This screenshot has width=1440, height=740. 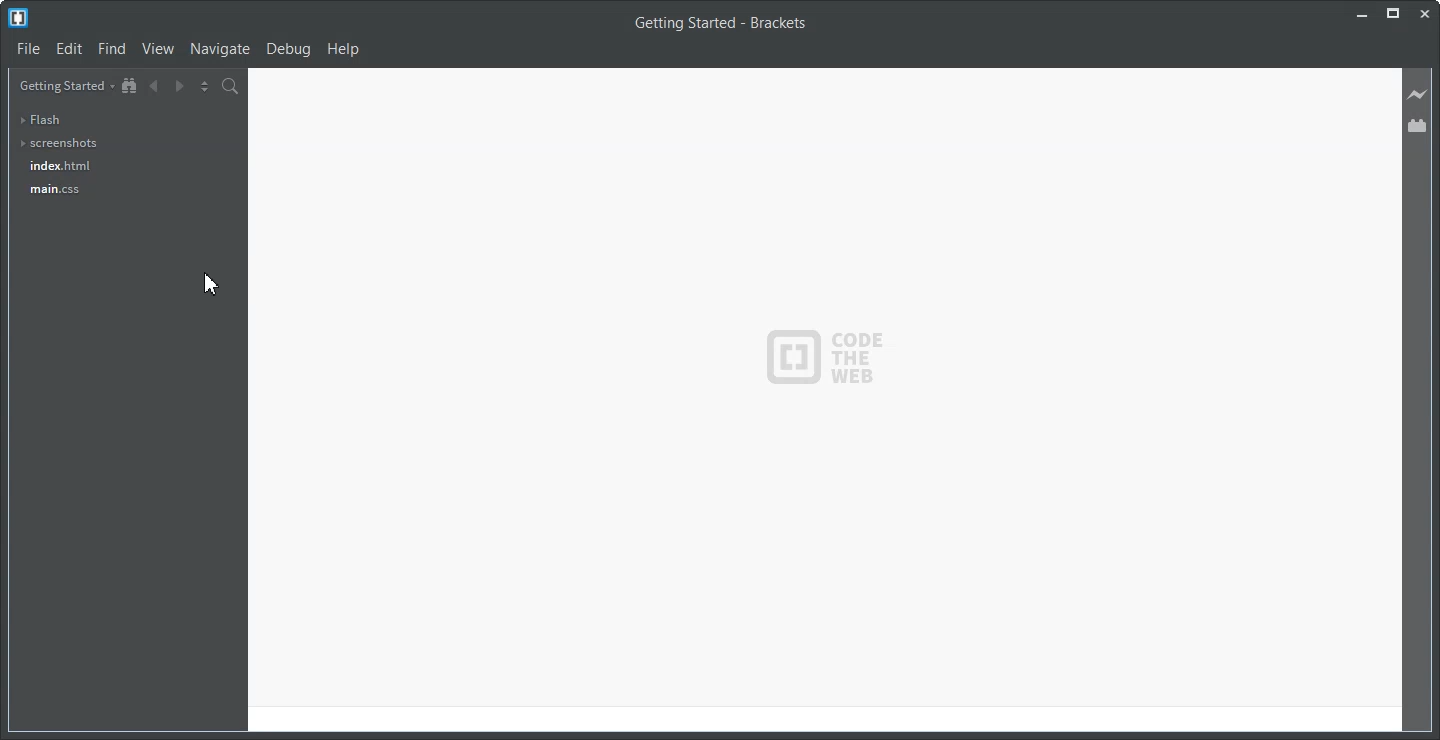 I want to click on Flash, so click(x=46, y=119).